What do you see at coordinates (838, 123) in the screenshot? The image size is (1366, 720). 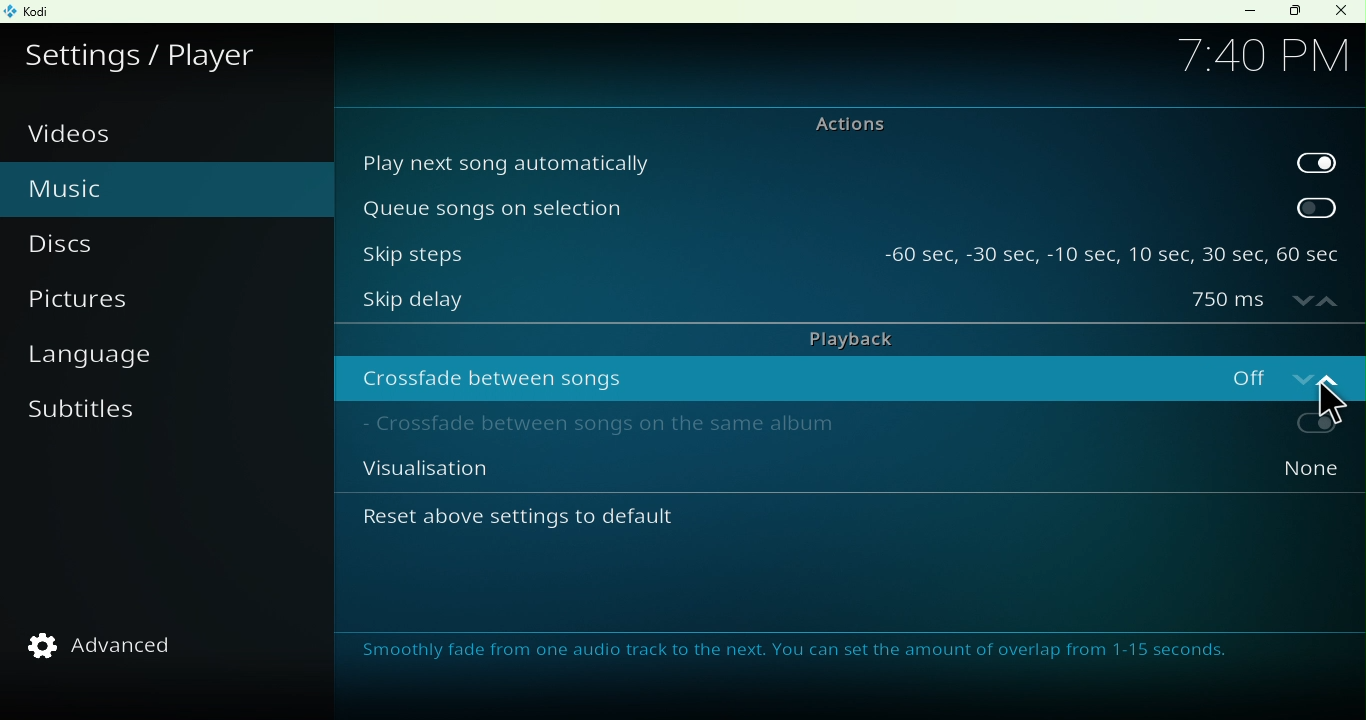 I see `Actions` at bounding box center [838, 123].